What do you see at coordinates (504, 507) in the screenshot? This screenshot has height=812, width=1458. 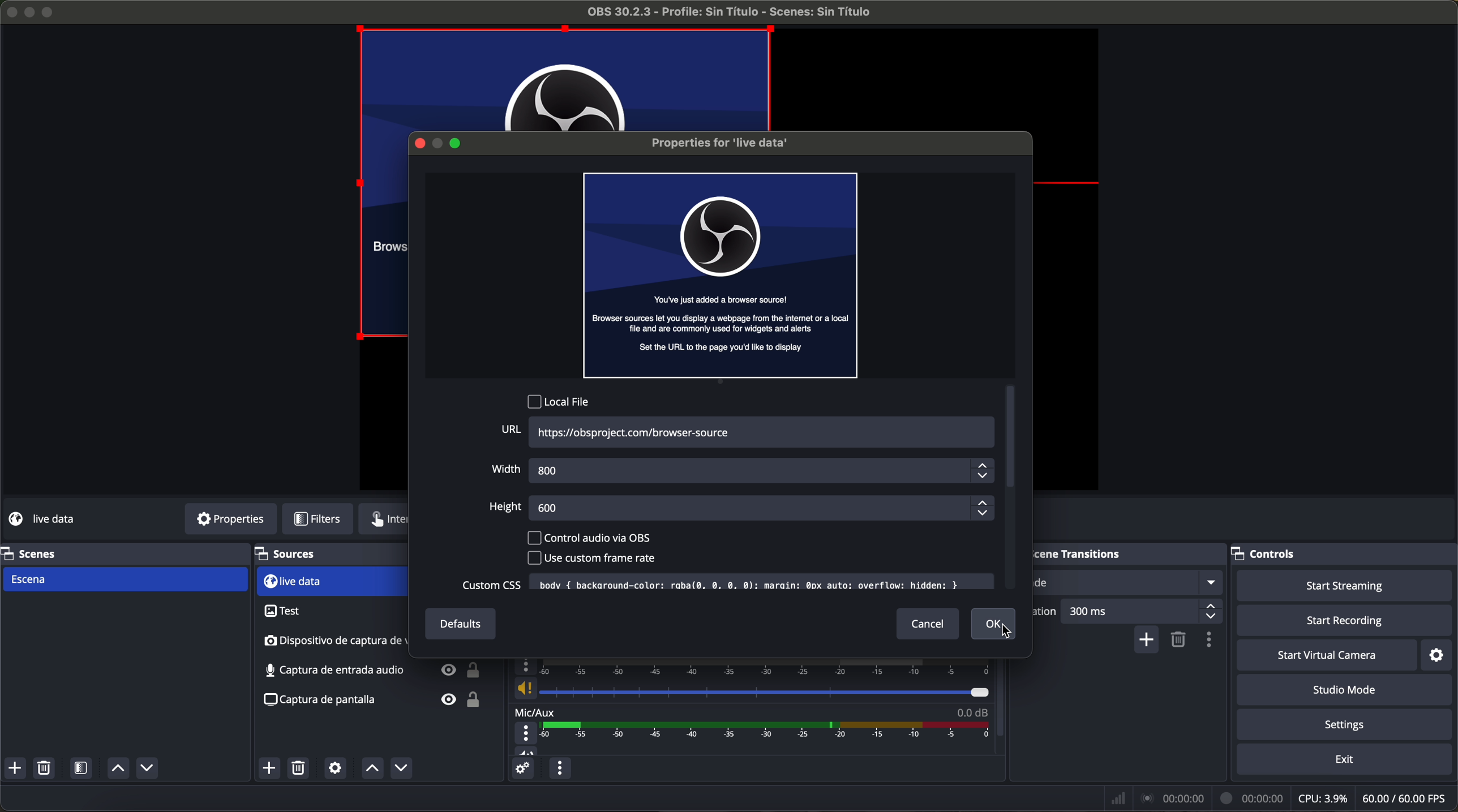 I see `height` at bounding box center [504, 507].